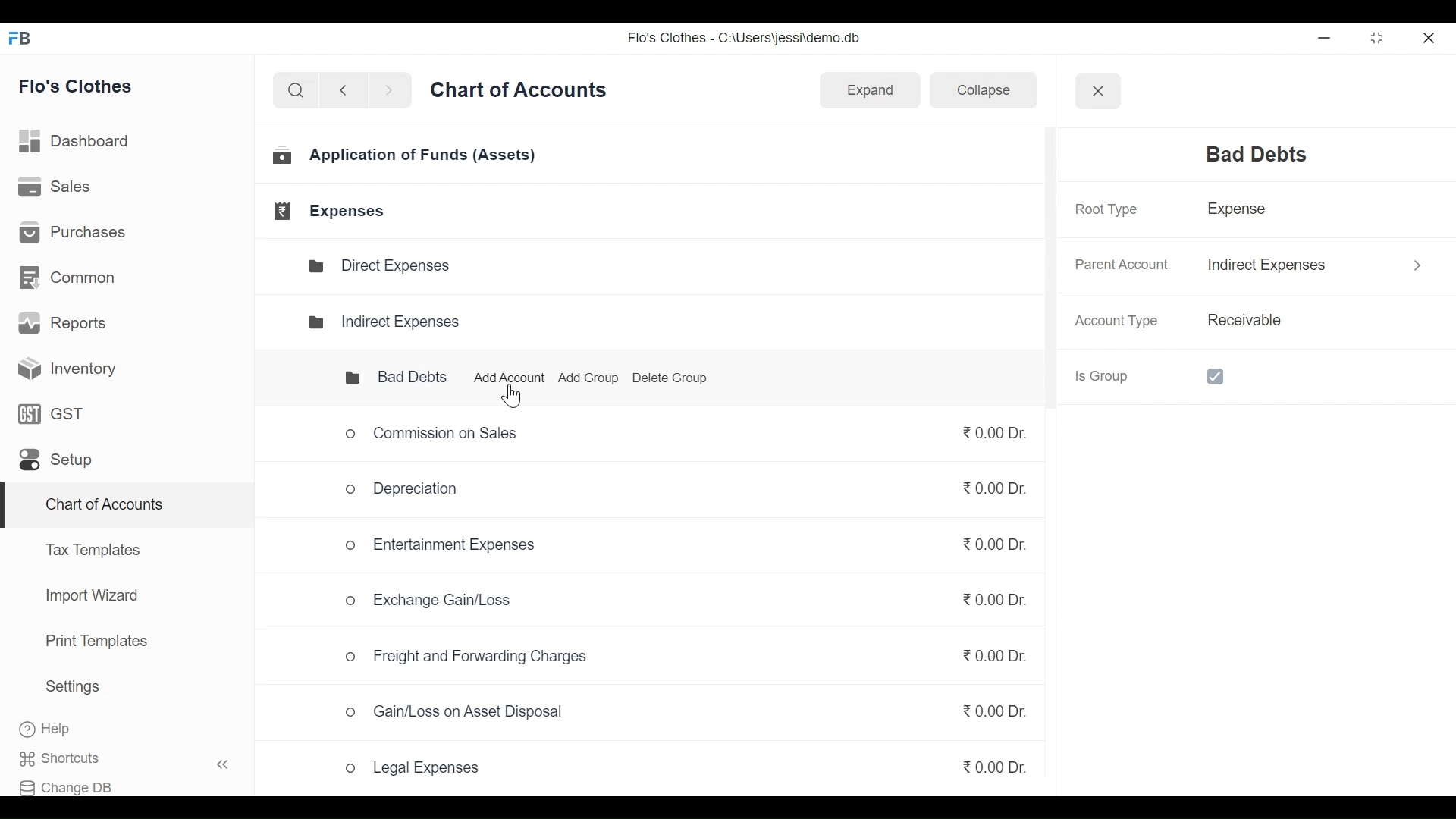 The height and width of the screenshot is (819, 1456). What do you see at coordinates (441, 549) in the screenshot?
I see `Entertainment Expenses` at bounding box center [441, 549].